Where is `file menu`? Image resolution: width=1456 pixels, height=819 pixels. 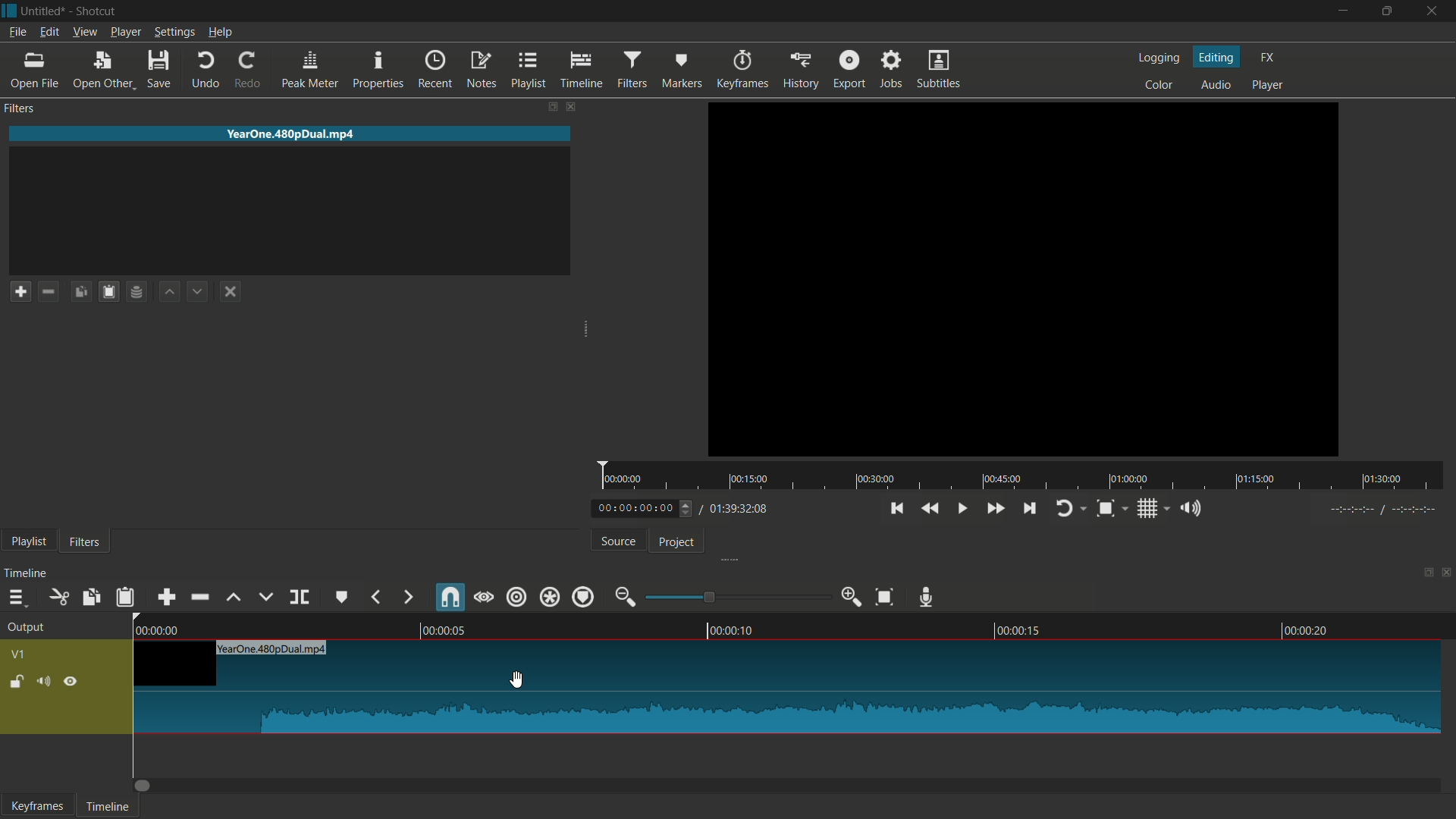
file menu is located at coordinates (16, 33).